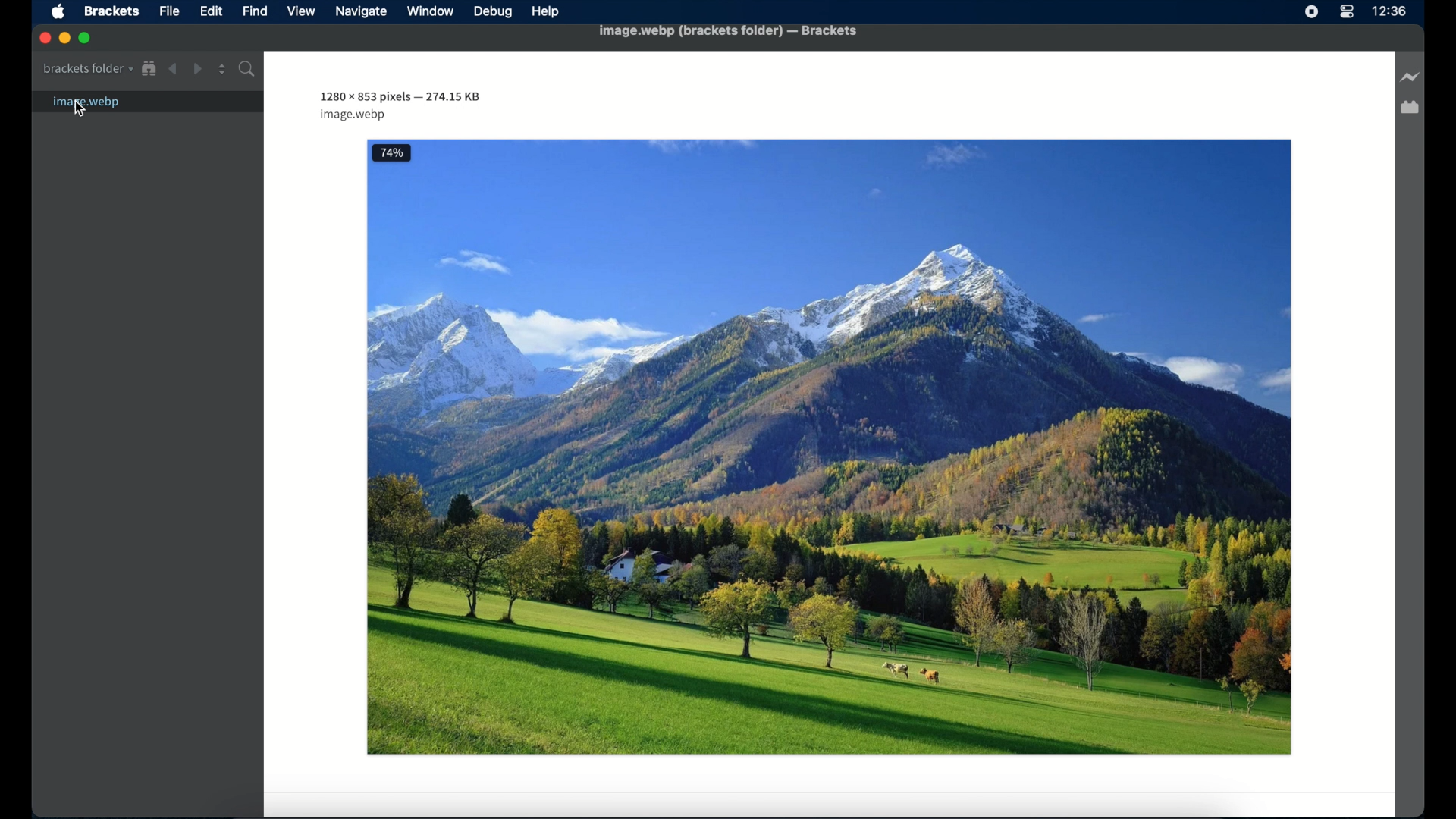  Describe the element at coordinates (88, 69) in the screenshot. I see `brackets folder` at that location.